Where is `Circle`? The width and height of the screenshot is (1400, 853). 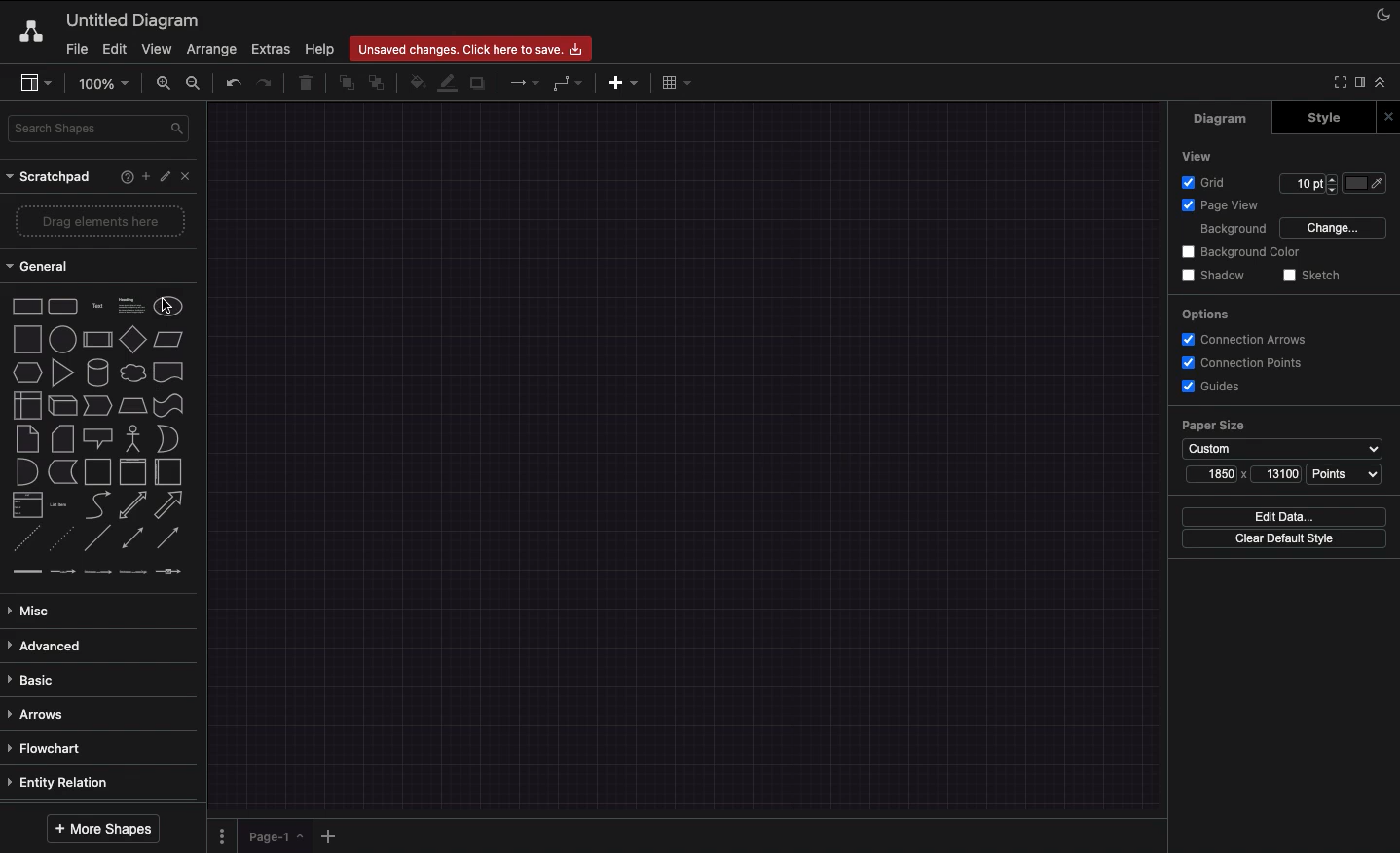 Circle is located at coordinates (62, 337).